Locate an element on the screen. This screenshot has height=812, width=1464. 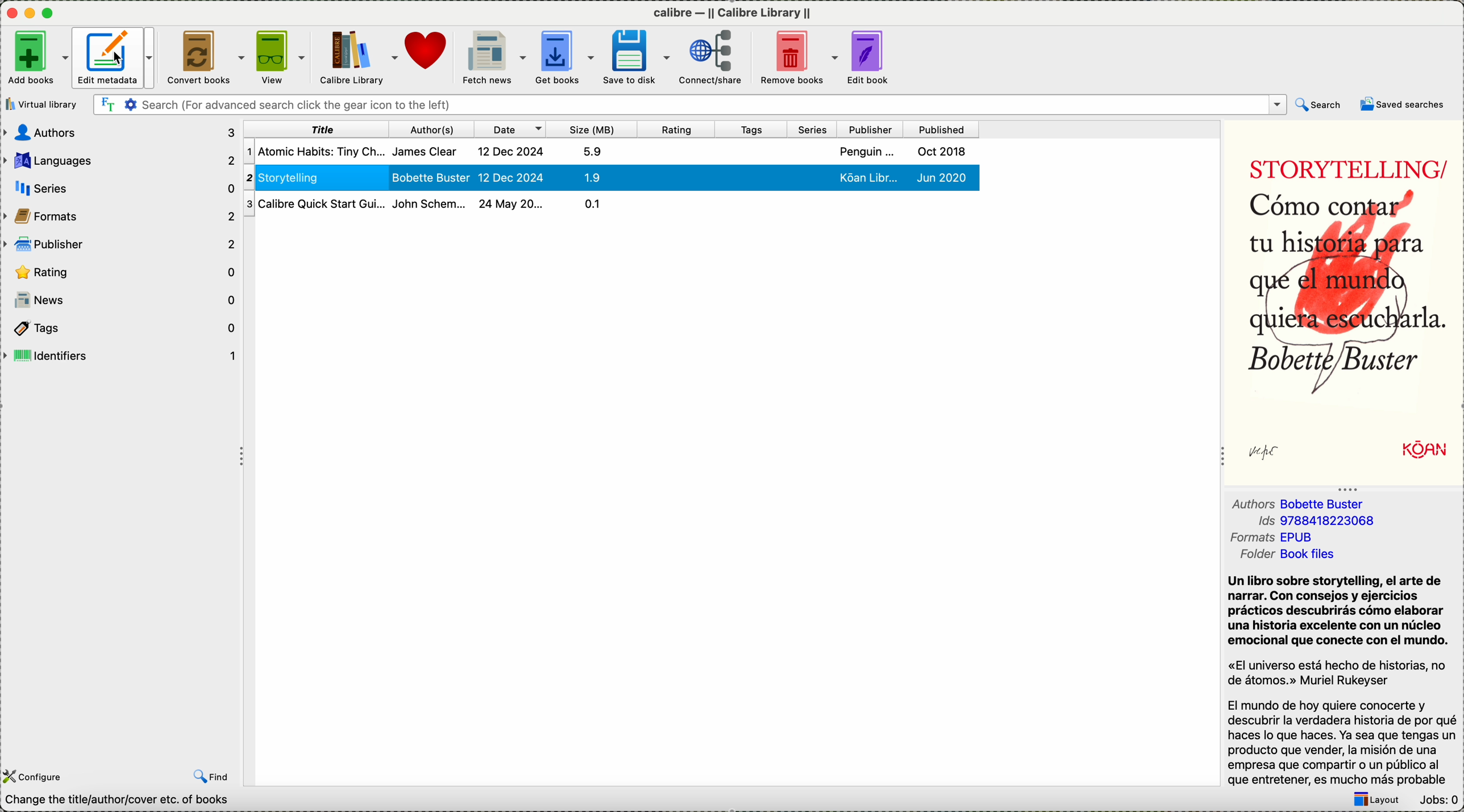
donate is located at coordinates (428, 50).